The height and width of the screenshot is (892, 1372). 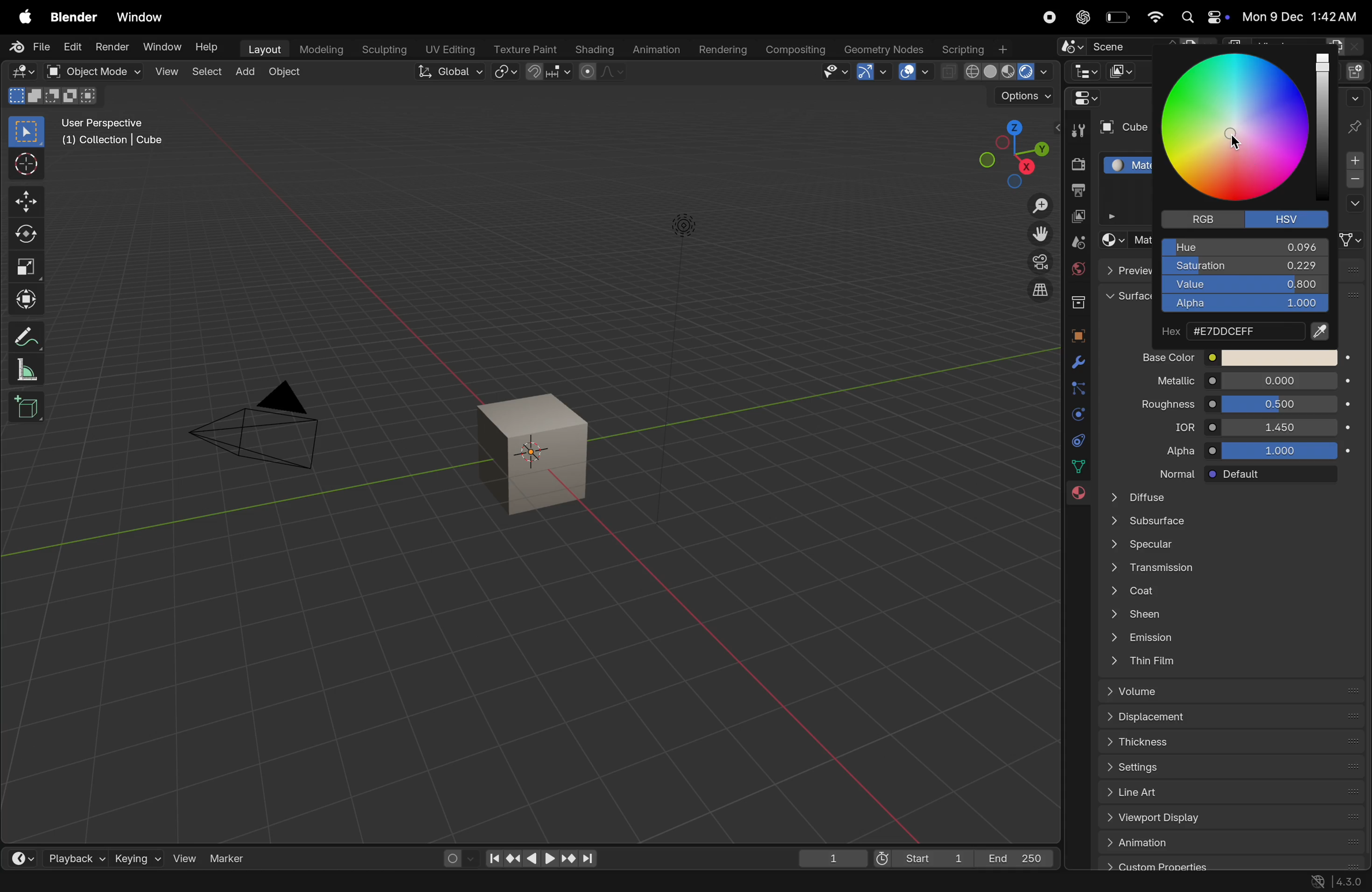 I want to click on coat, so click(x=1223, y=593).